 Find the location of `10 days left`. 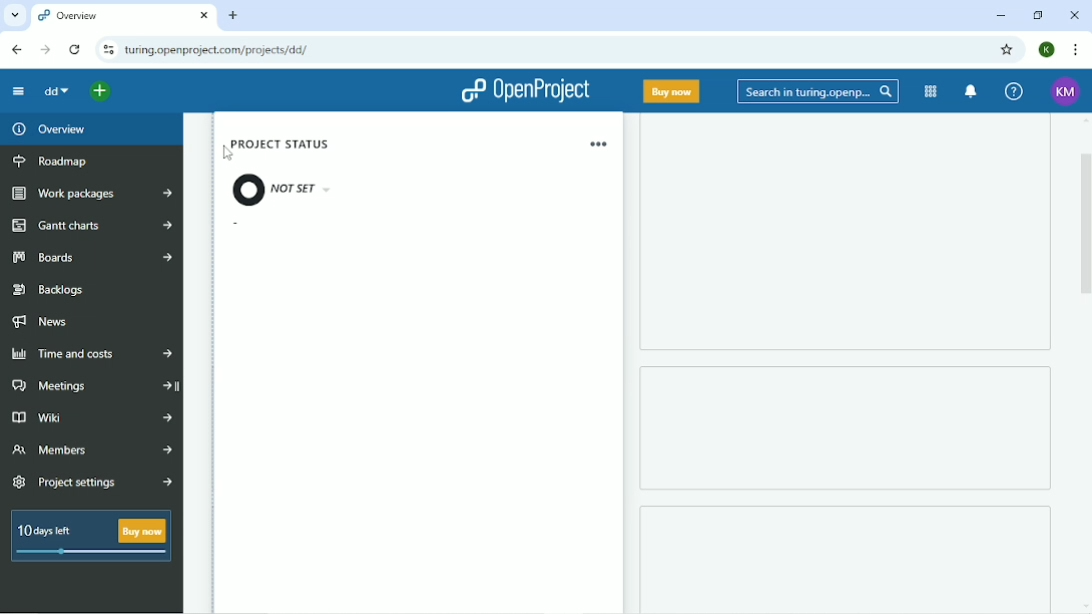

10 days left is located at coordinates (89, 538).